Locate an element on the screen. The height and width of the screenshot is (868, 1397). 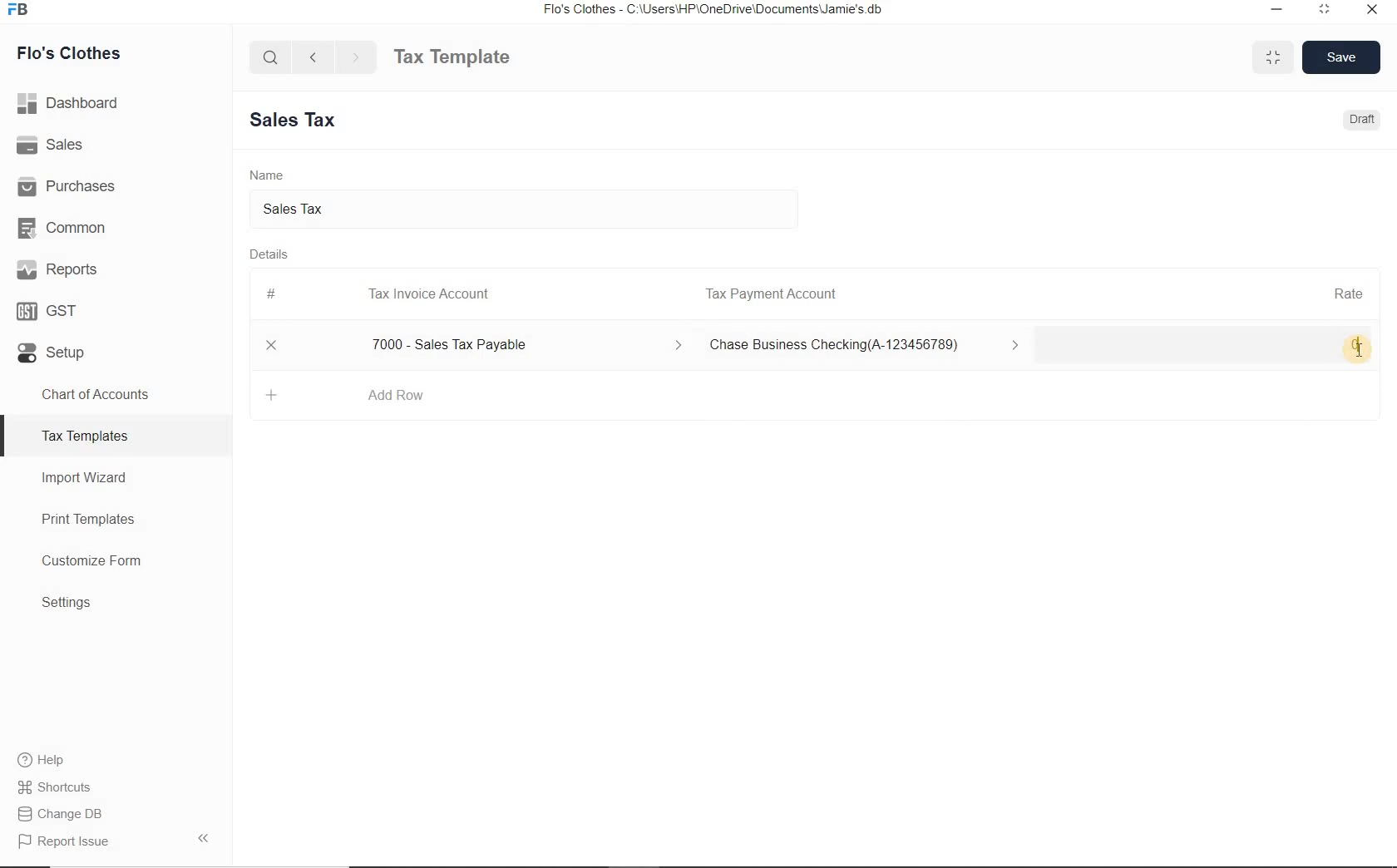
Flo's Clothes is located at coordinates (66, 53).